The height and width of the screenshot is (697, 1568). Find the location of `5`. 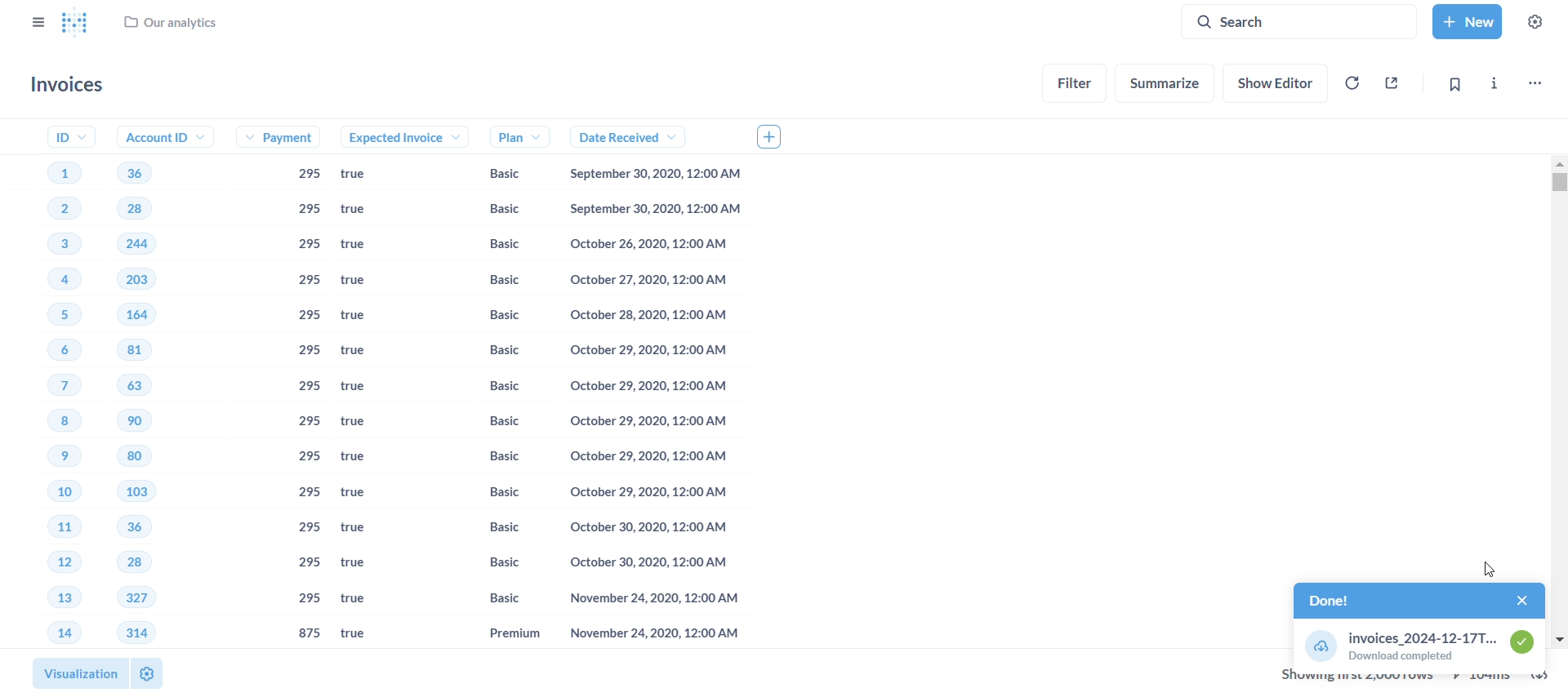

5 is located at coordinates (56, 313).